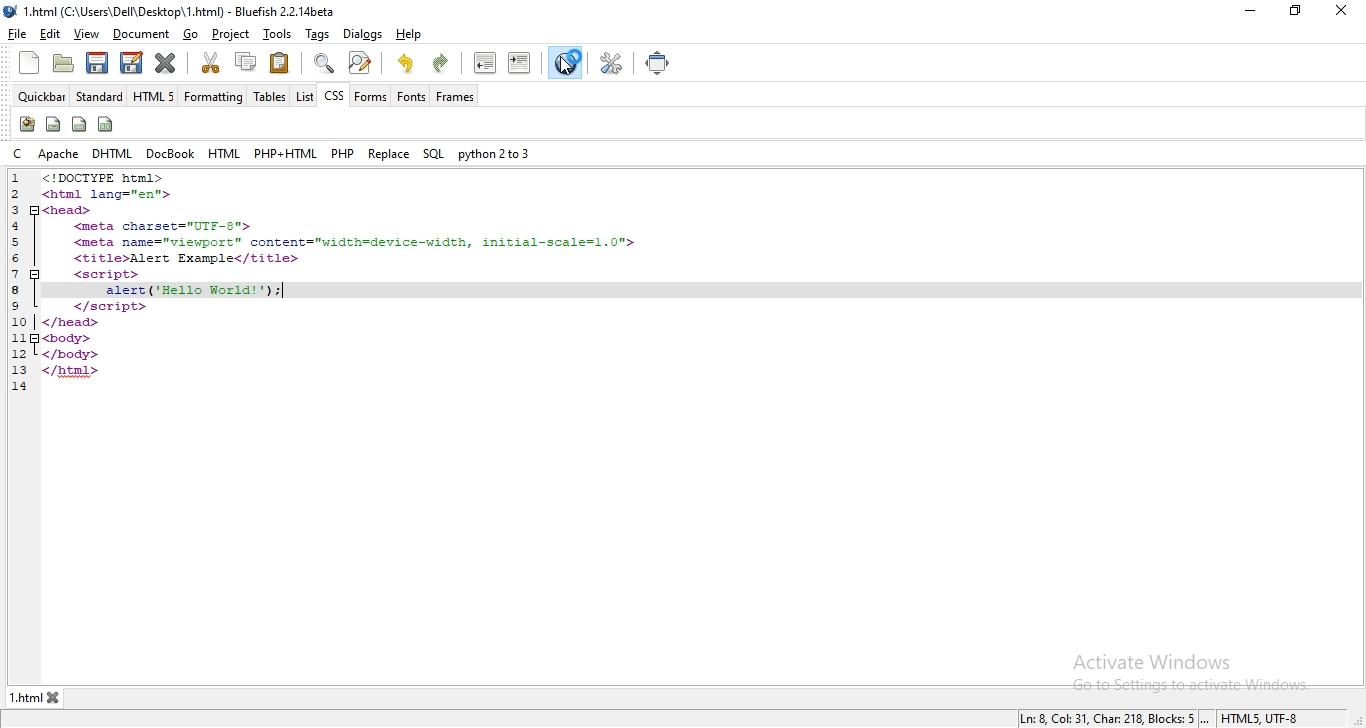 This screenshot has width=1366, height=728. I want to click on 13, so click(19, 371).